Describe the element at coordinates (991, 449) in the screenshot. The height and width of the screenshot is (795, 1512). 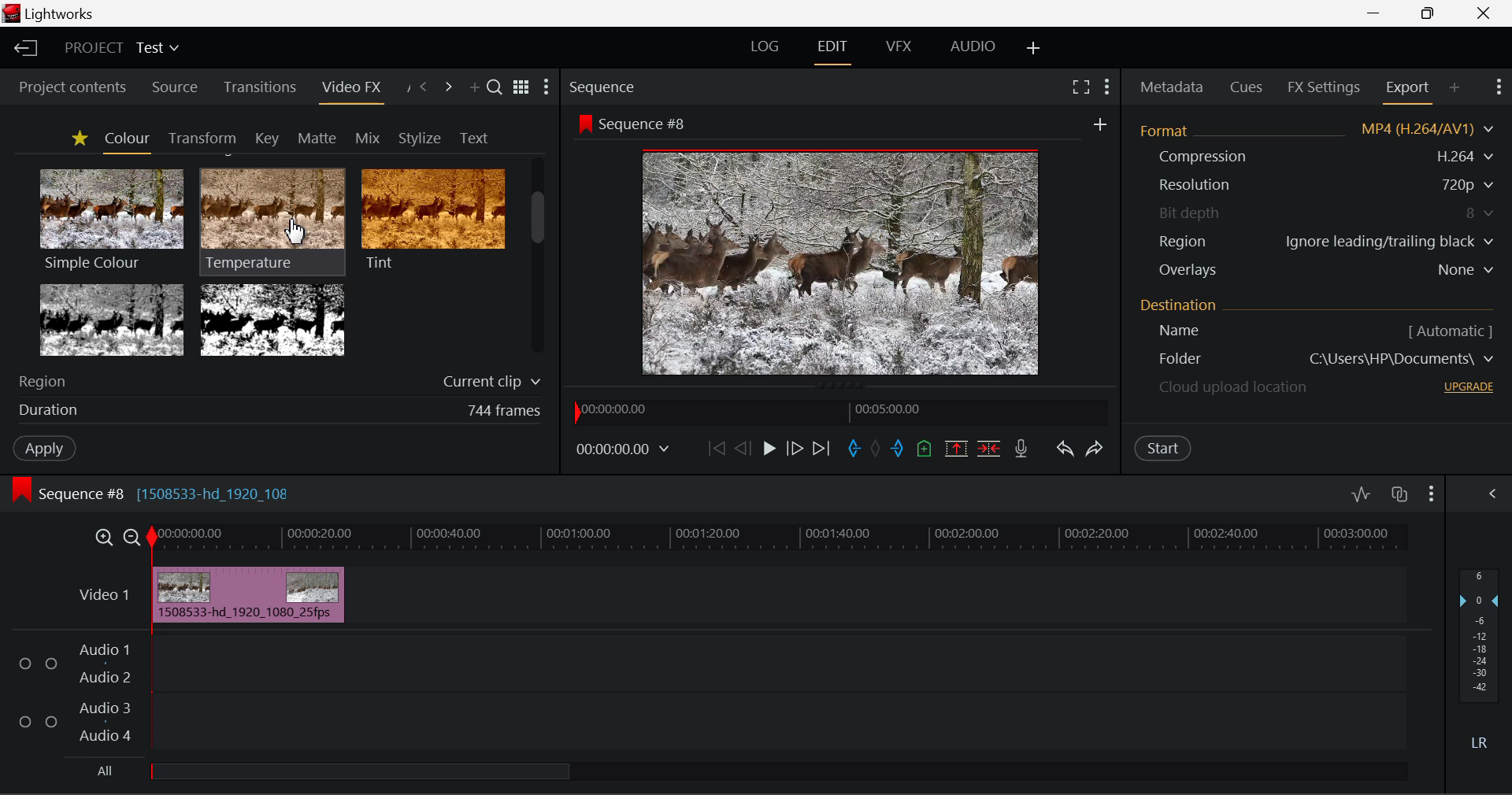
I see `Delte/Cut` at that location.